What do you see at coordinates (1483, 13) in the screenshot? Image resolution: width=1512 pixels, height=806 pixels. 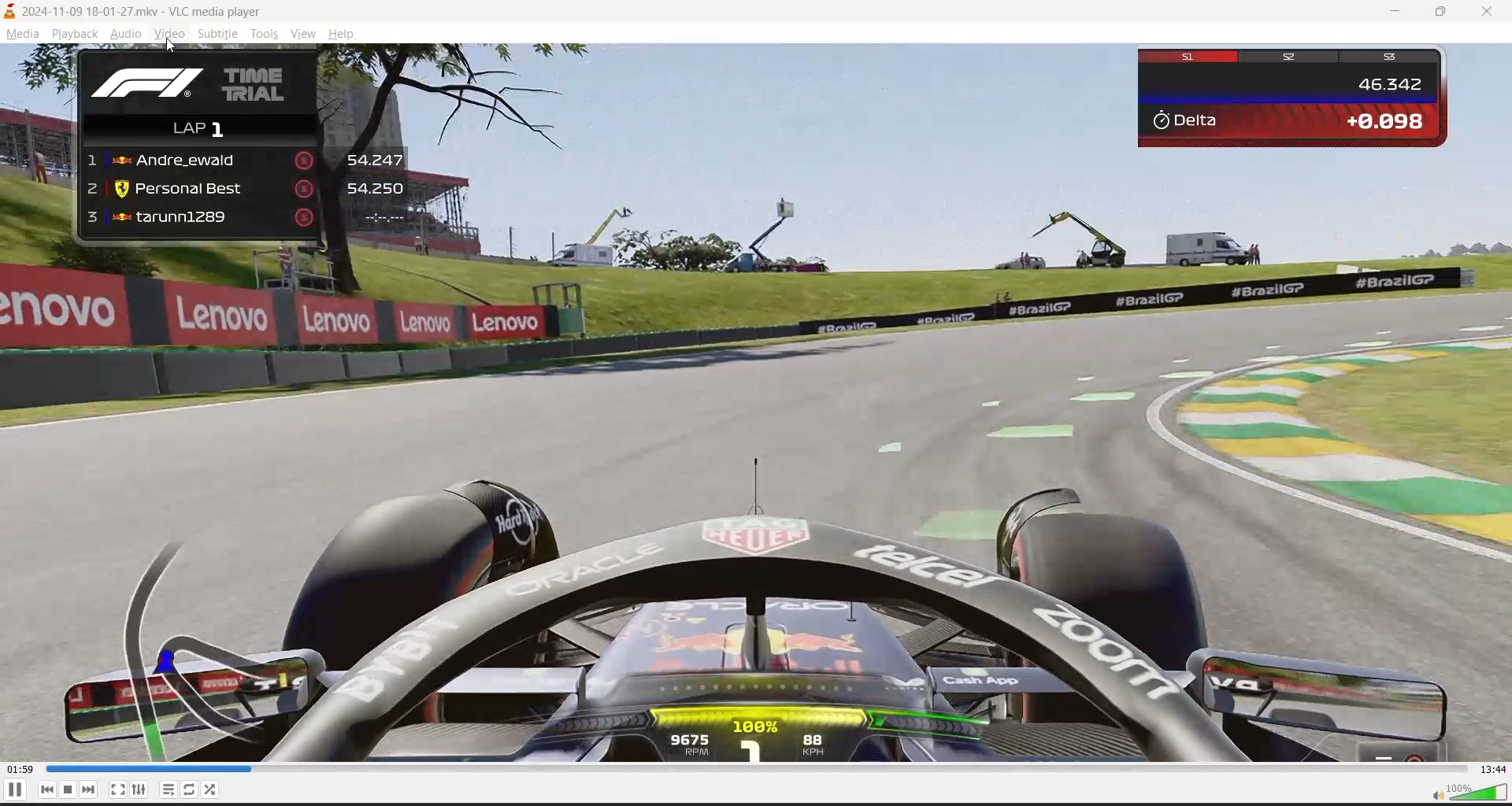 I see `close` at bounding box center [1483, 13].